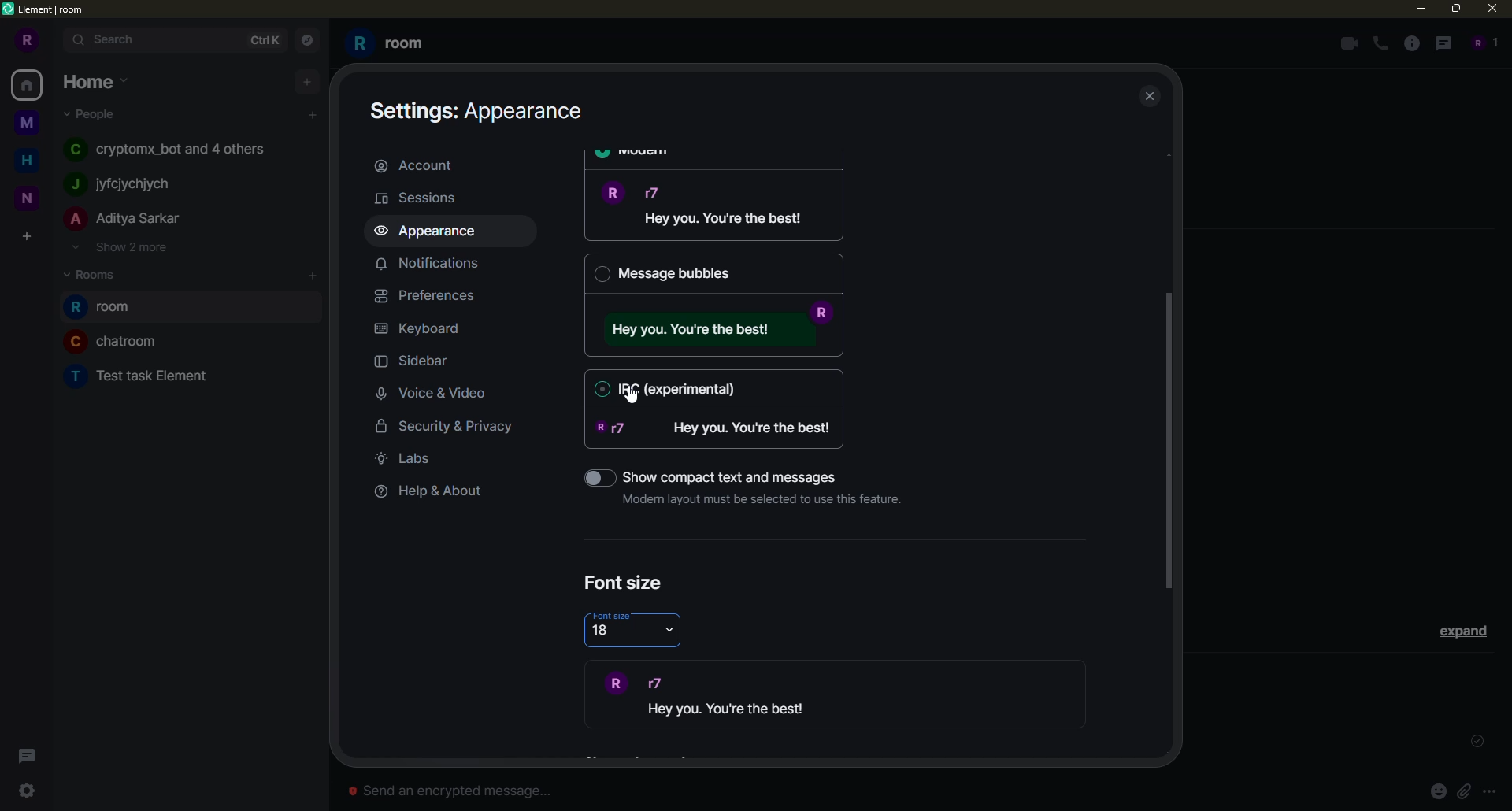  Describe the element at coordinates (421, 328) in the screenshot. I see `keyboard` at that location.